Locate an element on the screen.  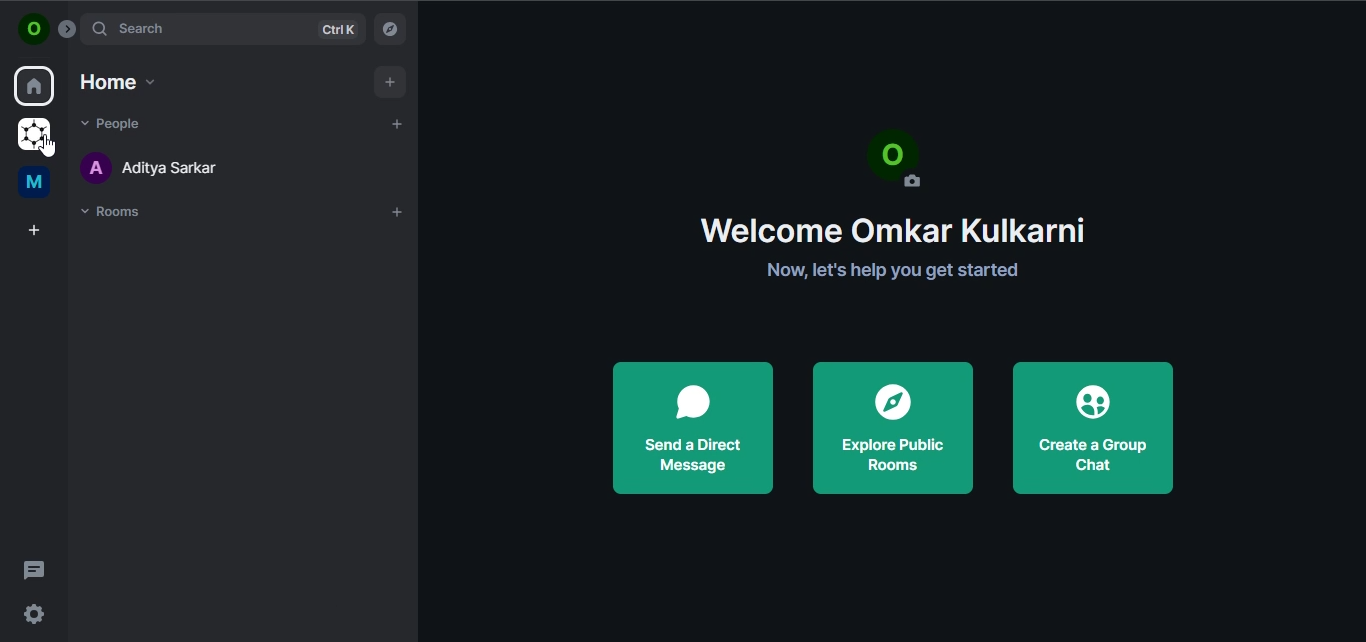
people is located at coordinates (113, 124).